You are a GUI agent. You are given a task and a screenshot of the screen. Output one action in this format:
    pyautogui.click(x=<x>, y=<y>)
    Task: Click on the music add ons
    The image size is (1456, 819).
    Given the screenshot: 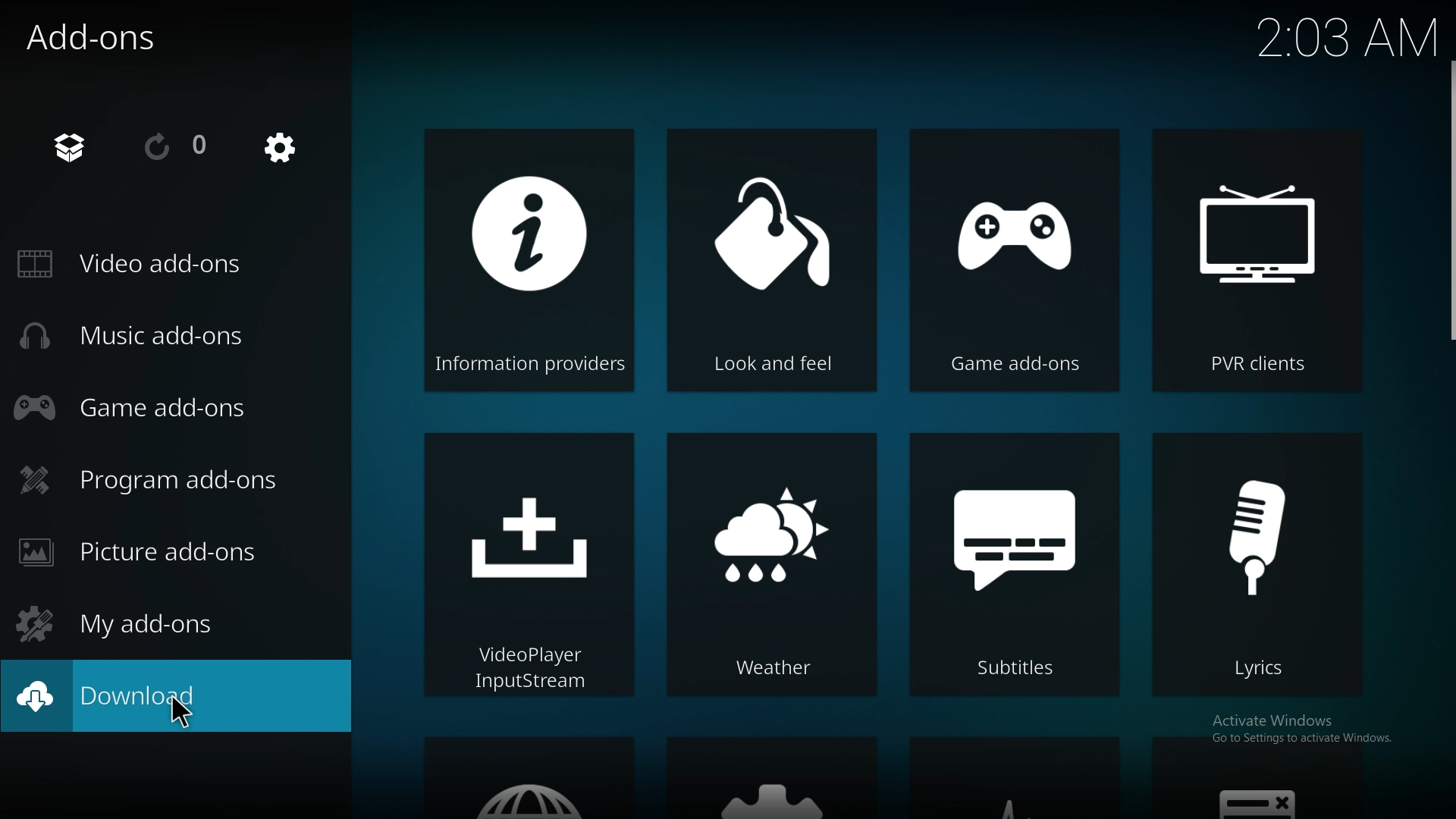 What is the action you would take?
    pyautogui.click(x=151, y=337)
    